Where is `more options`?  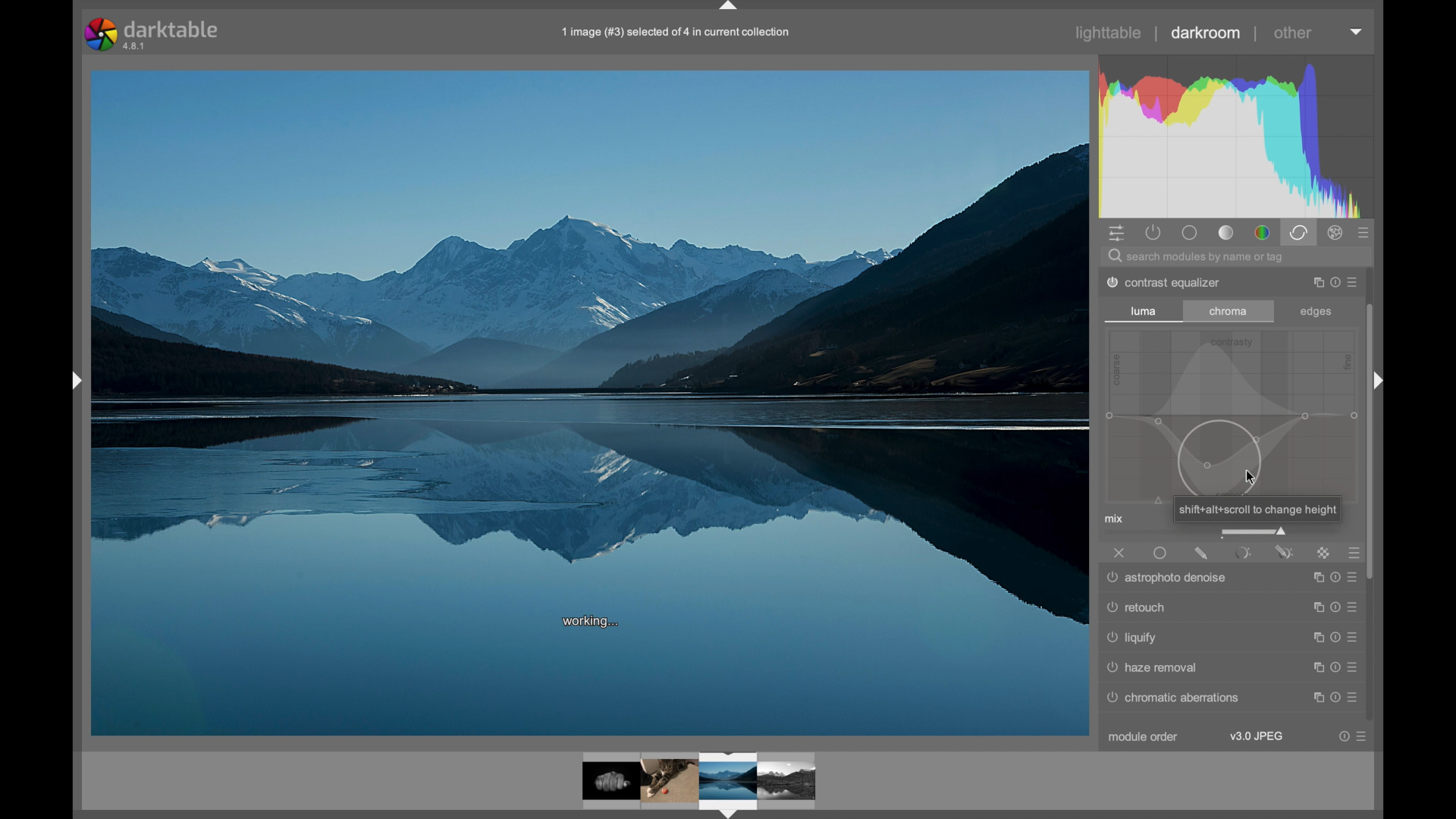 more options is located at coordinates (1327, 669).